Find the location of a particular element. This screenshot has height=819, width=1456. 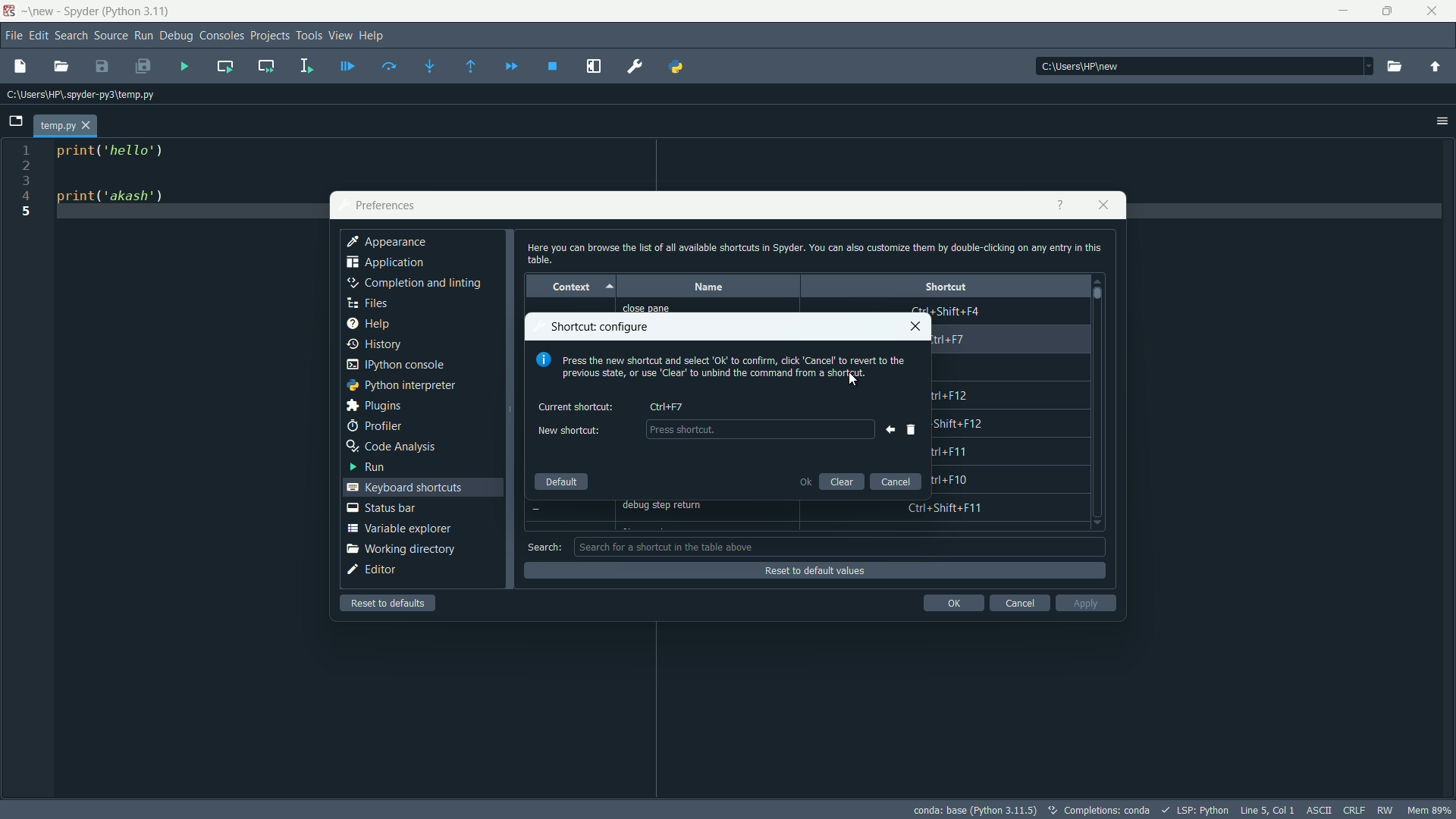

editor is located at coordinates (372, 570).